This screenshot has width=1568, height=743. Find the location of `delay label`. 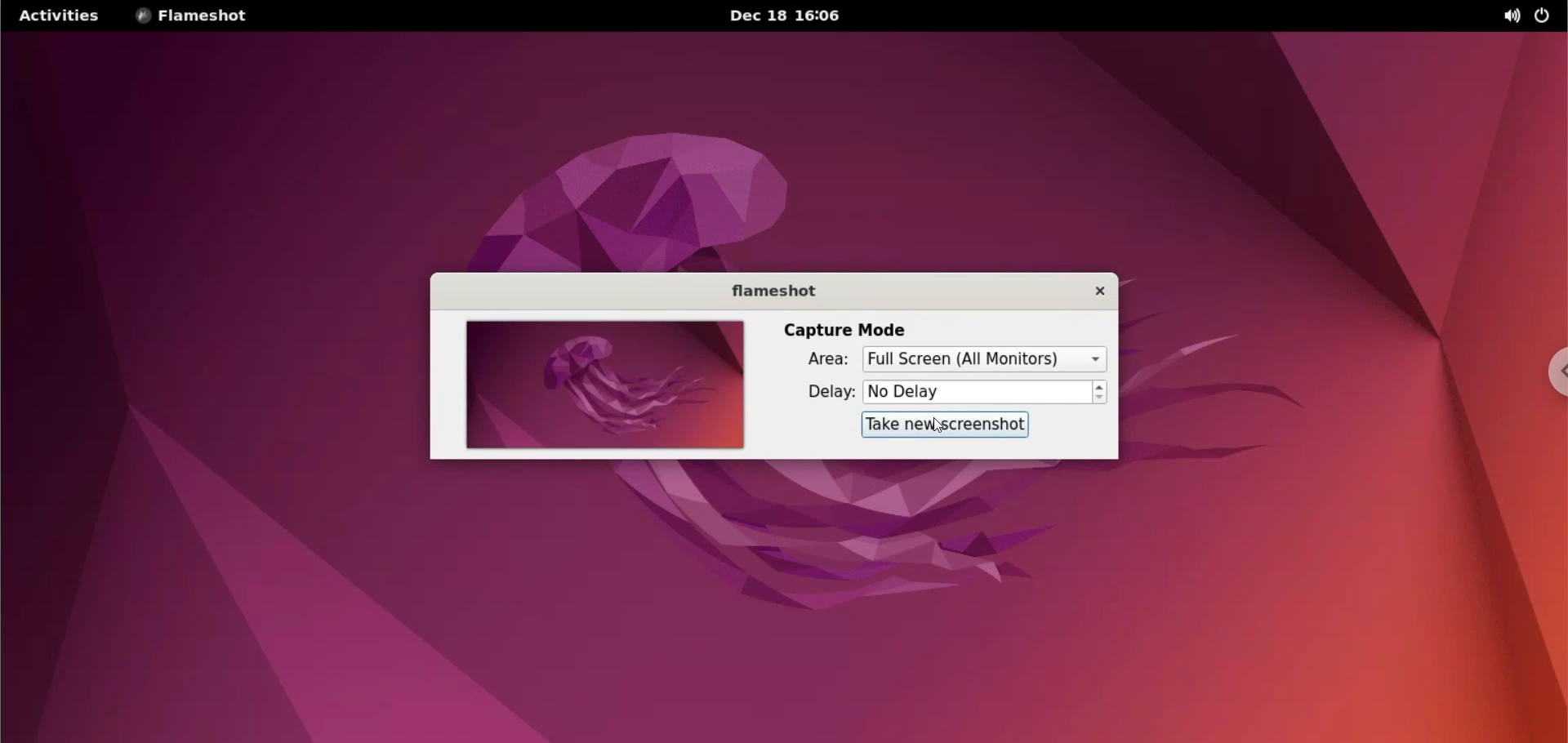

delay label is located at coordinates (829, 393).